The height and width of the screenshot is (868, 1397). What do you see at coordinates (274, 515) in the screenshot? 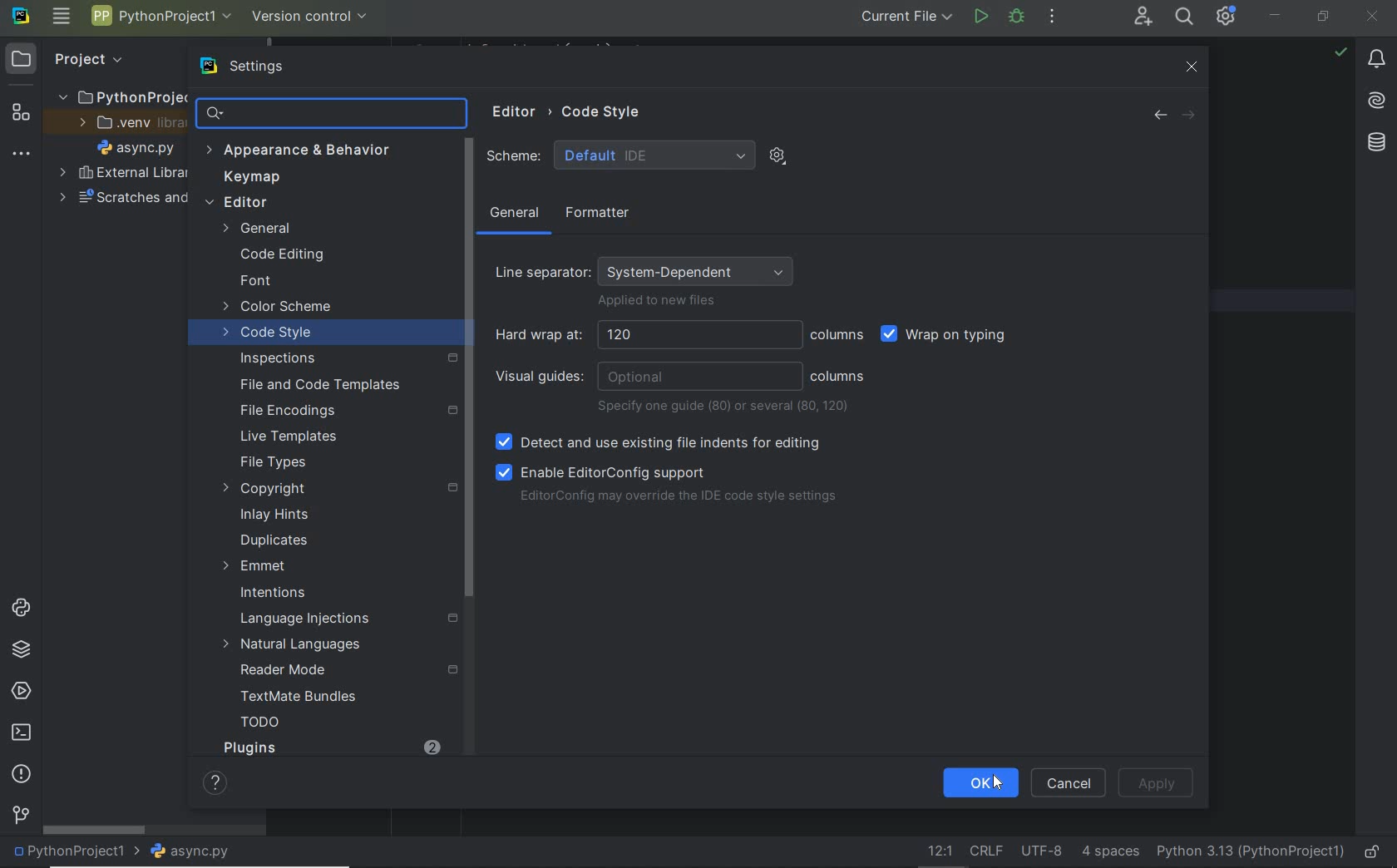
I see `Inlay Hints` at bounding box center [274, 515].